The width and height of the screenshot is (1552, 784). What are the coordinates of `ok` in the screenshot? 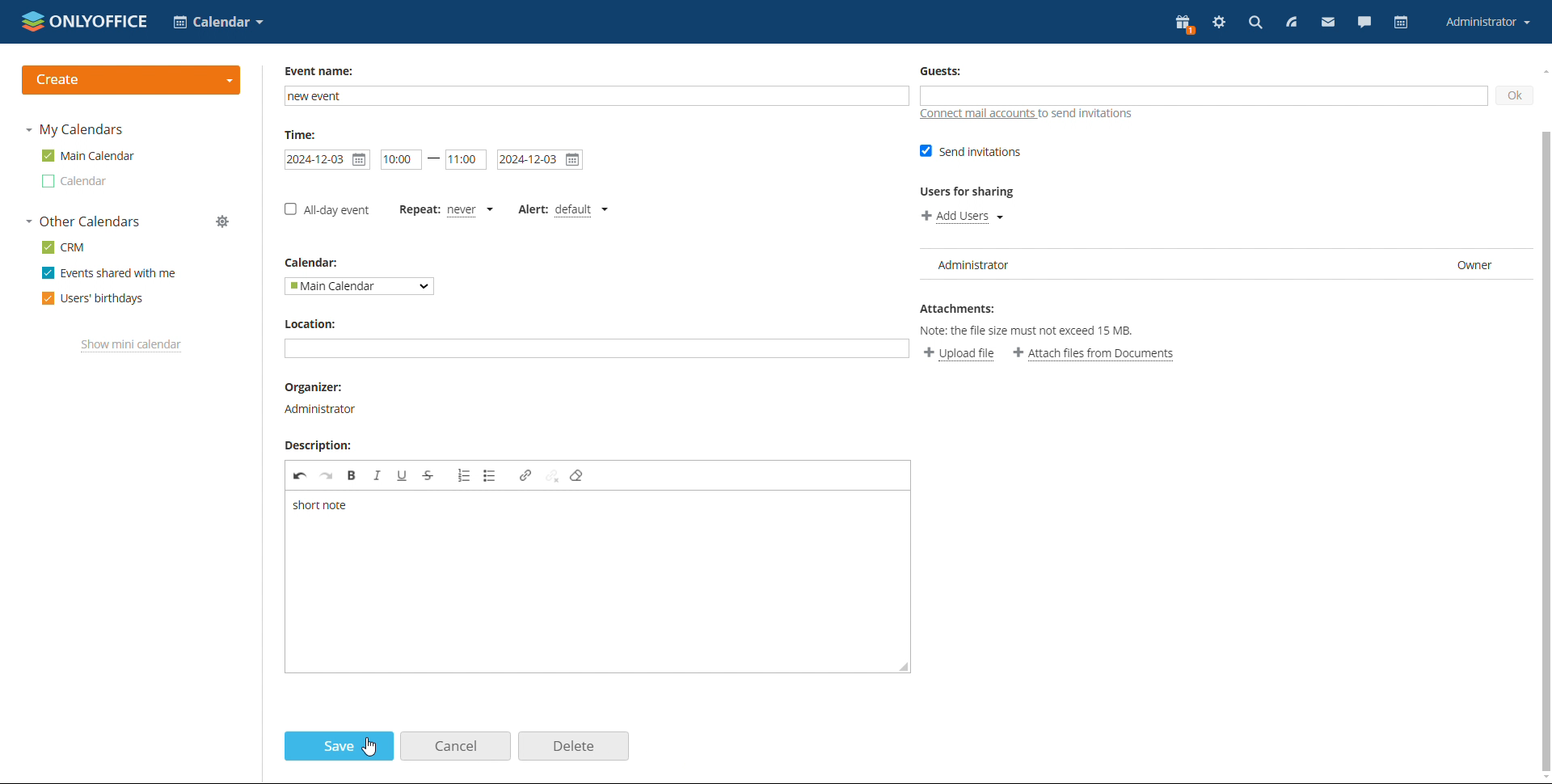 It's located at (1515, 95).